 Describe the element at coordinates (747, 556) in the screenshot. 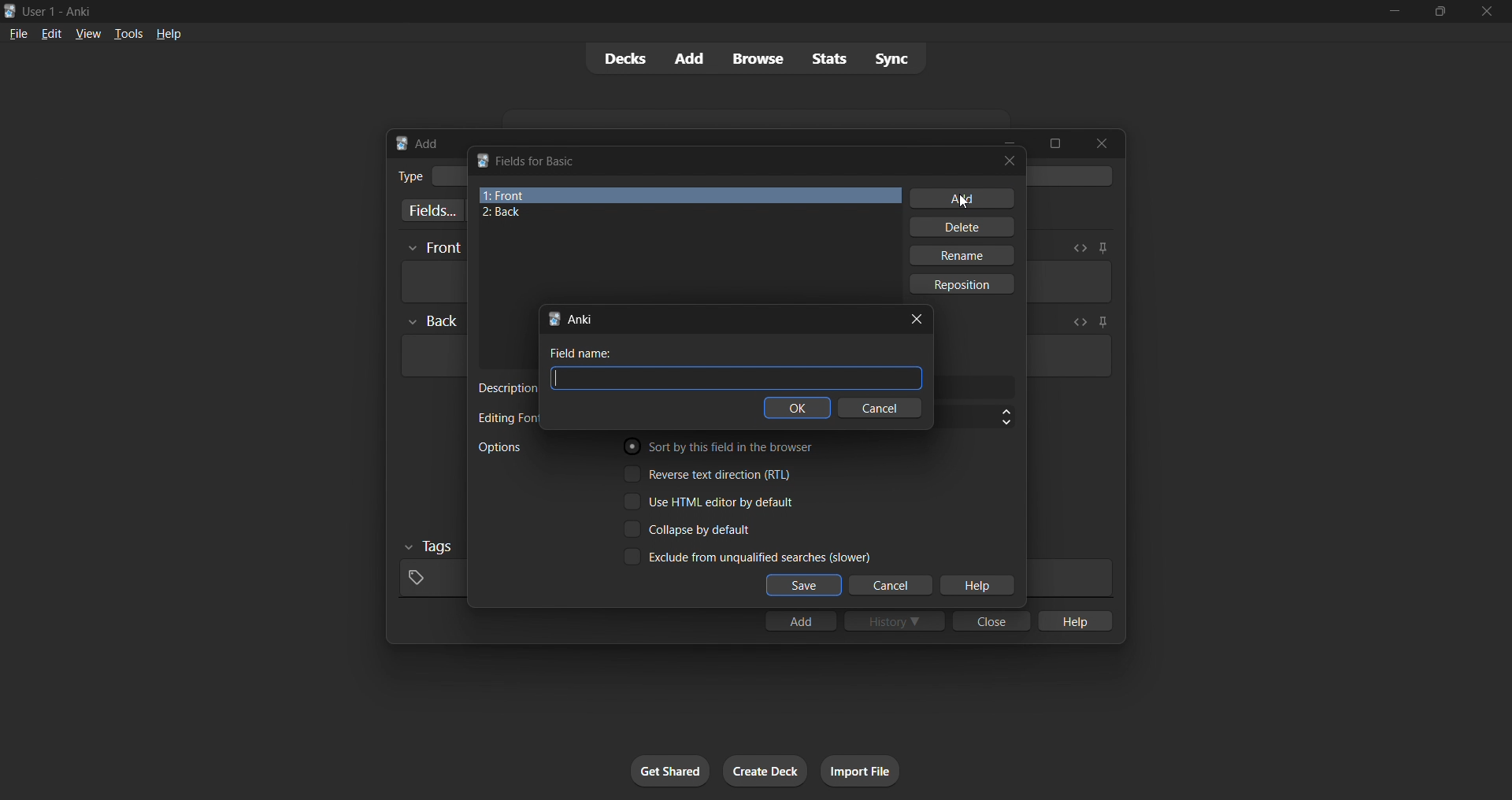

I see `Toggle` at that location.